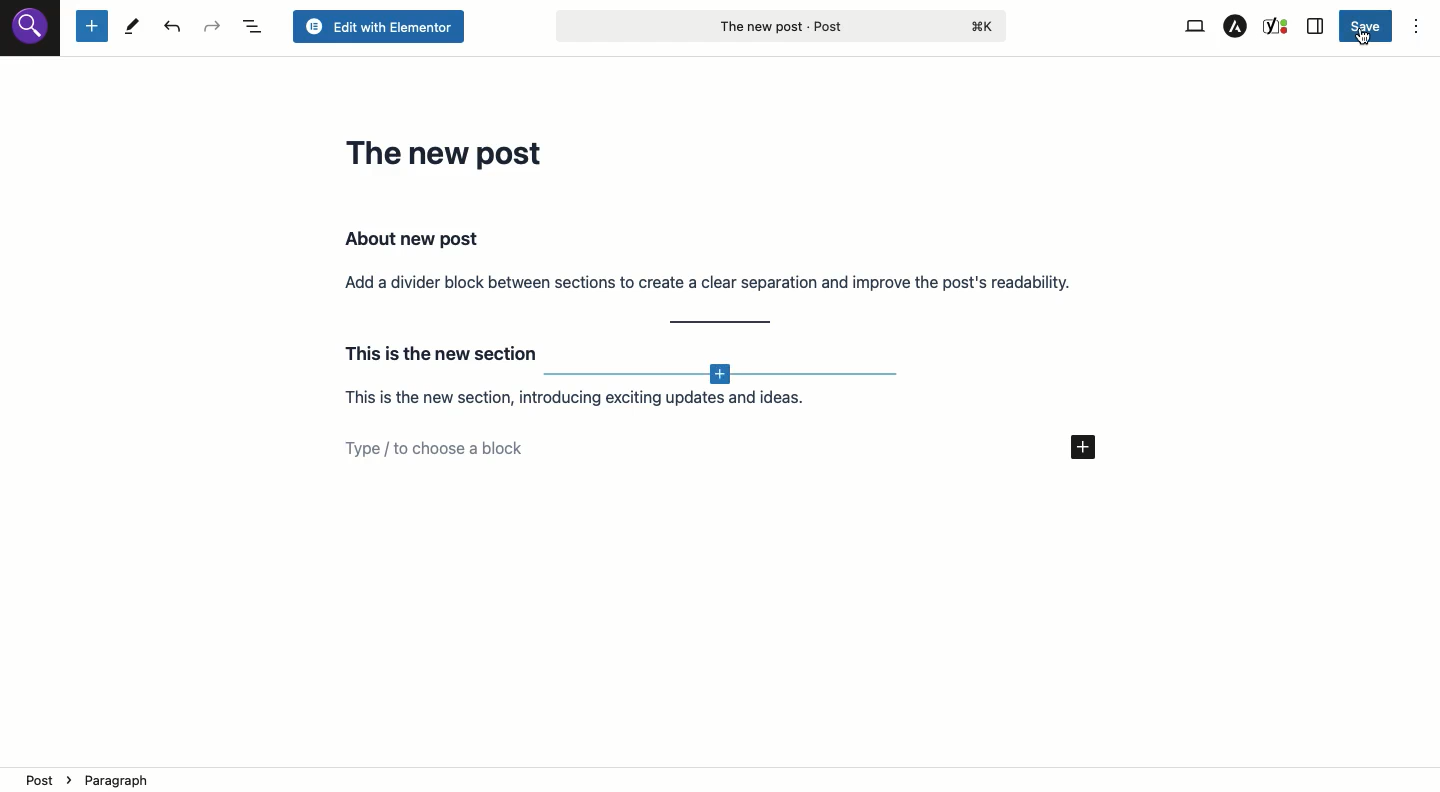  Describe the element at coordinates (213, 27) in the screenshot. I see `Redo` at that location.